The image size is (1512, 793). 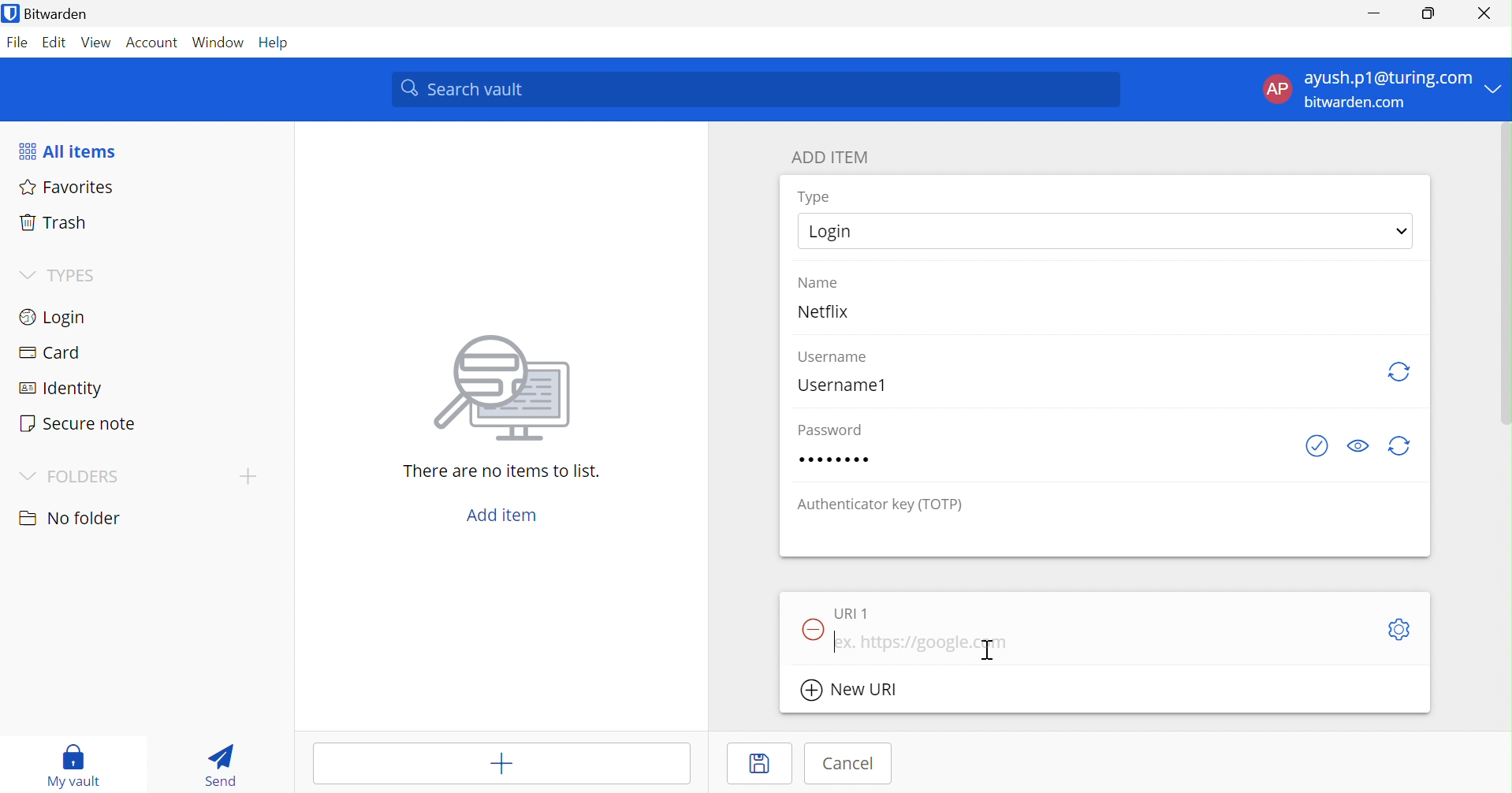 What do you see at coordinates (1358, 445) in the screenshot?
I see `Toggle visibility` at bounding box center [1358, 445].